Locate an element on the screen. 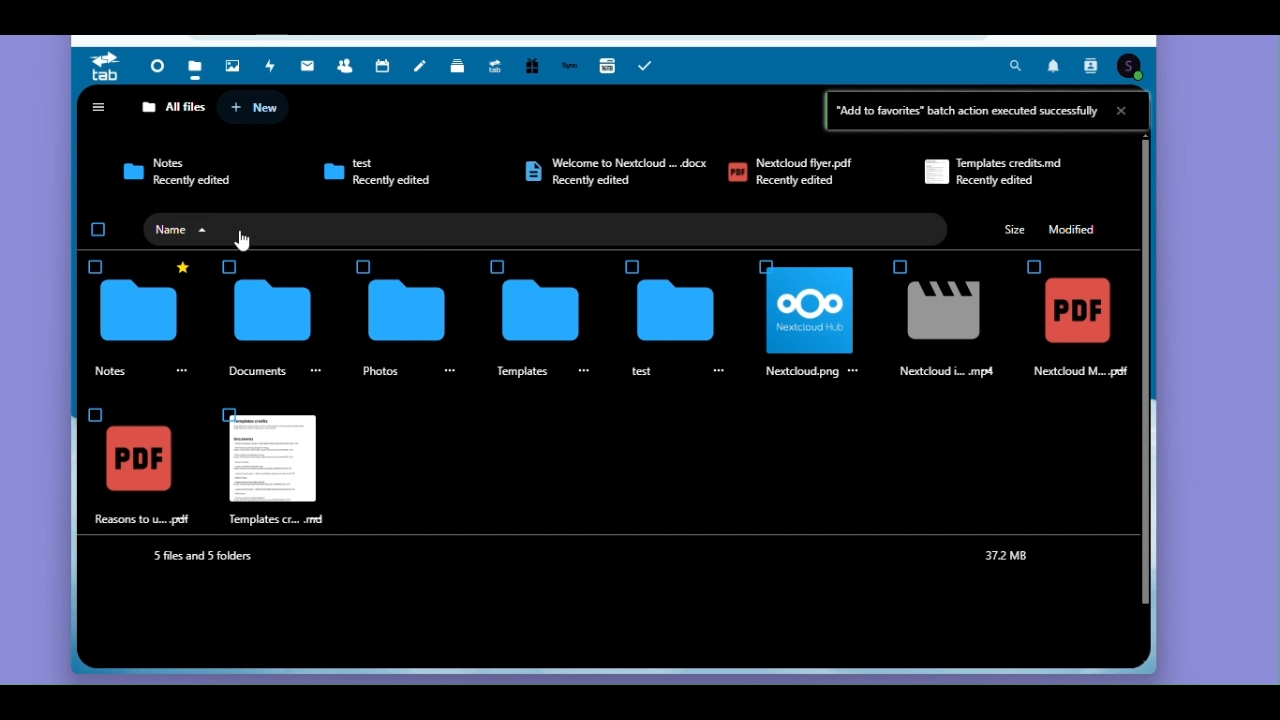 The image size is (1280, 720). Icon is located at coordinates (408, 311).